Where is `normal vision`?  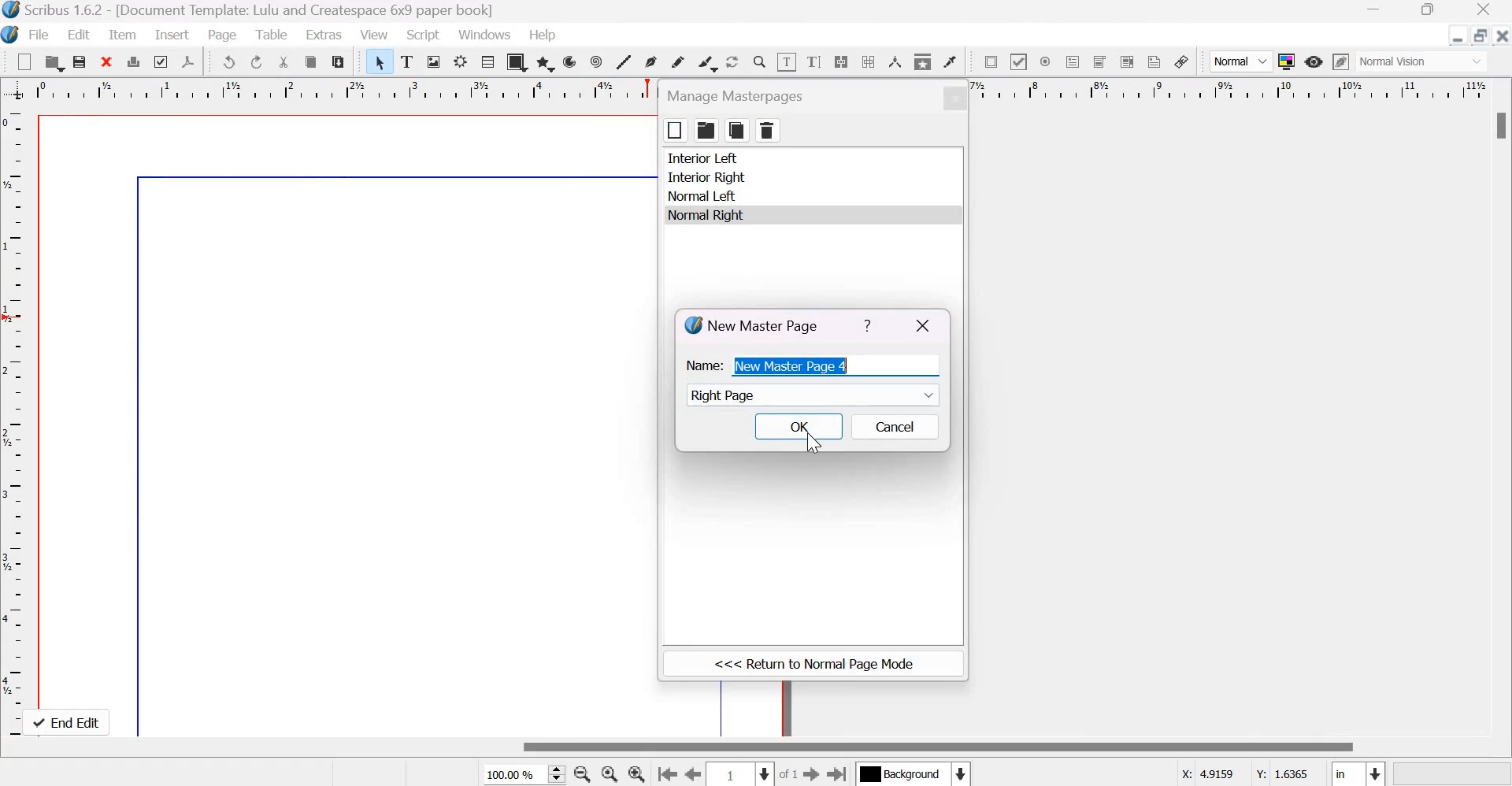 normal vision is located at coordinates (1422, 61).